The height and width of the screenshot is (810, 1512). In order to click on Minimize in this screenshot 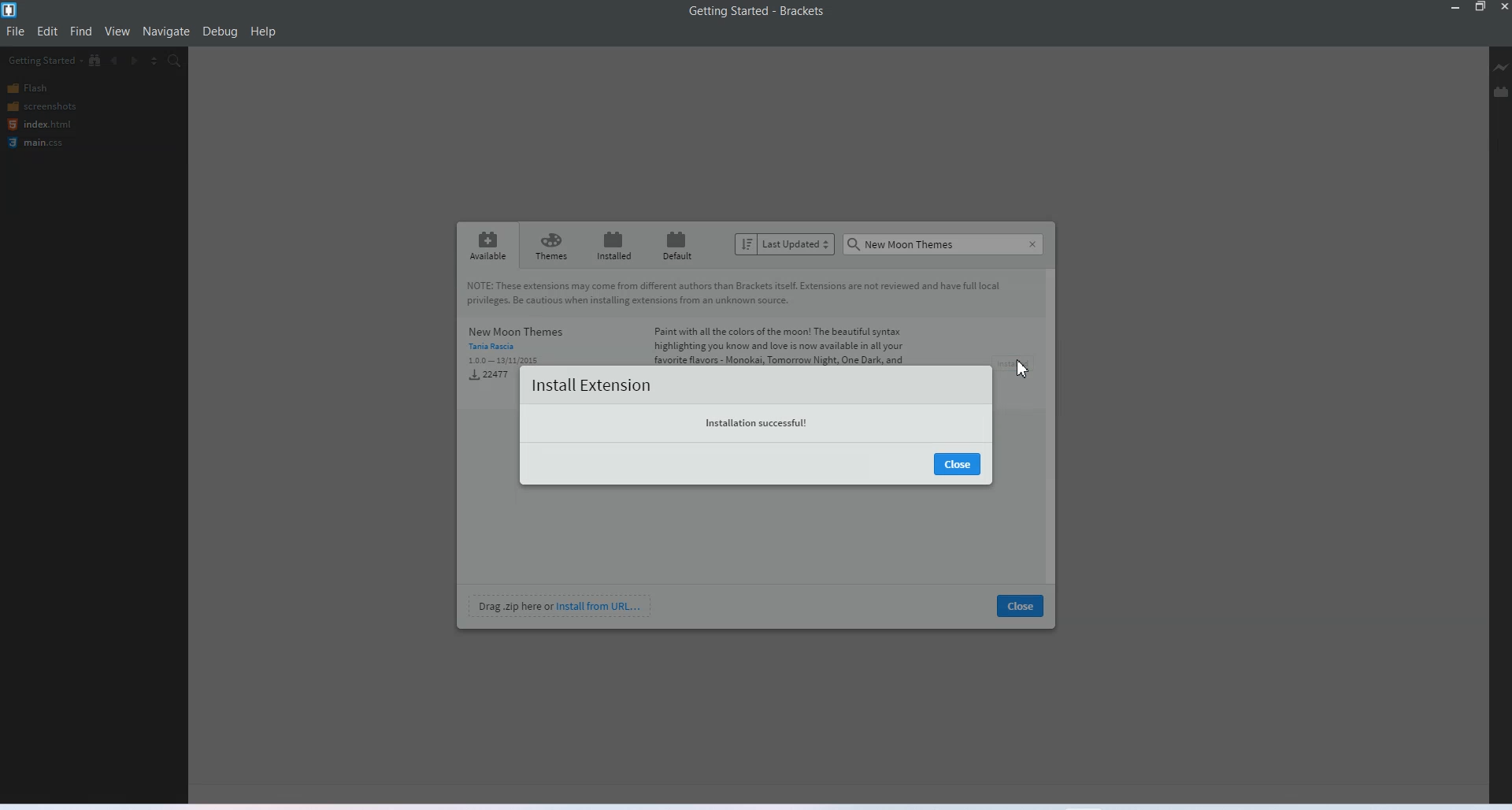, I will do `click(1457, 8)`.